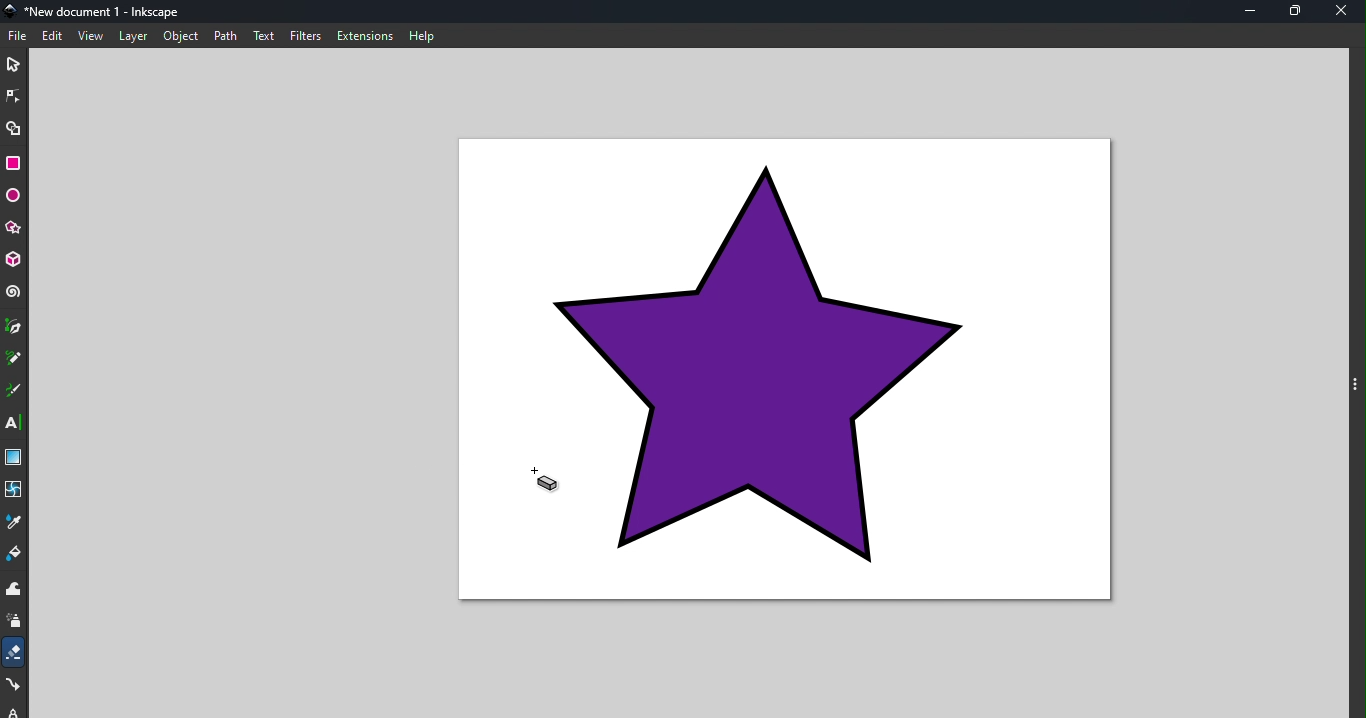 The image size is (1366, 718). Describe the element at coordinates (13, 590) in the screenshot. I see `tweak tool` at that location.